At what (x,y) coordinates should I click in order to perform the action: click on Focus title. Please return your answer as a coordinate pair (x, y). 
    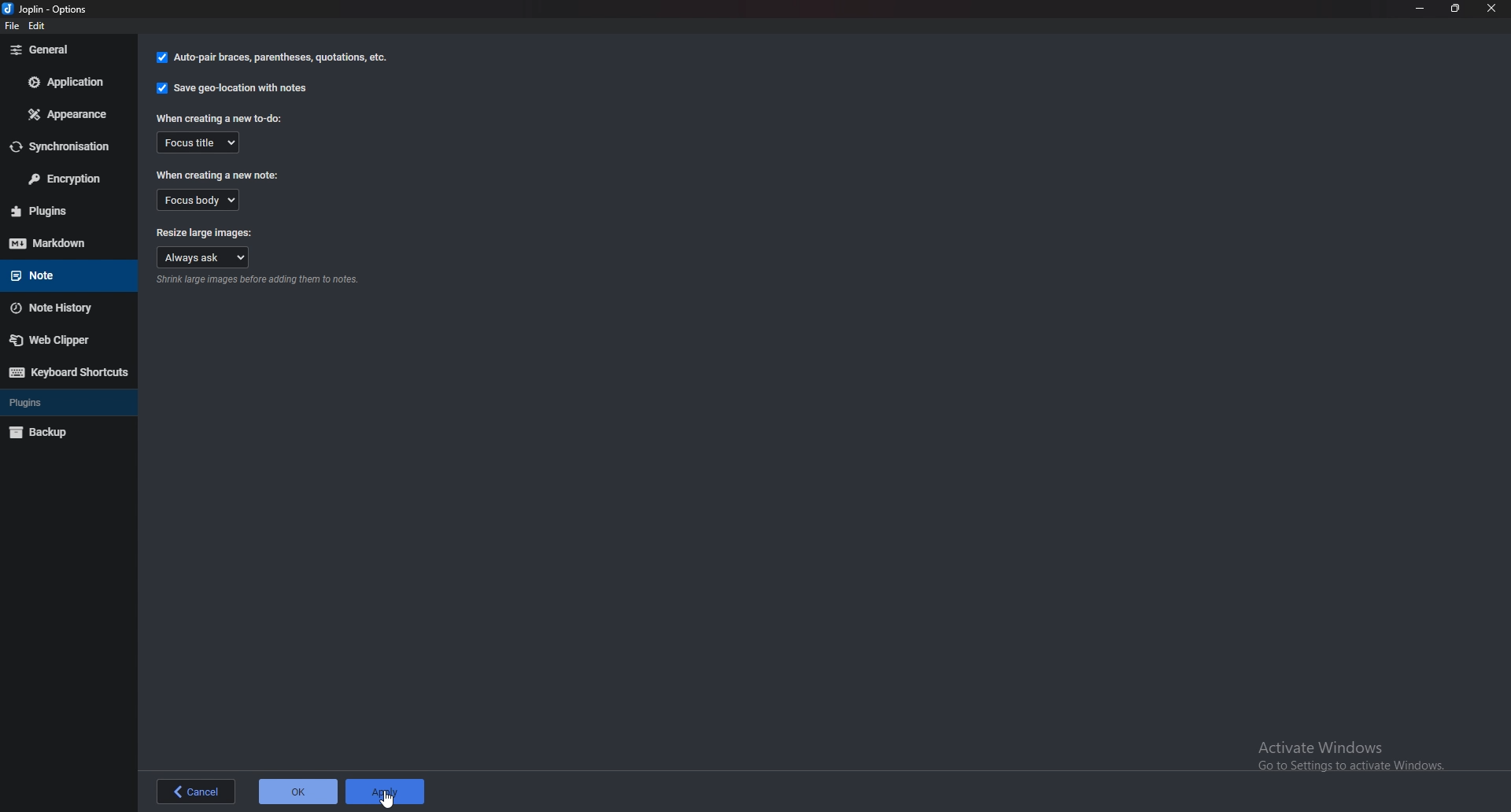
    Looking at the image, I should click on (200, 142).